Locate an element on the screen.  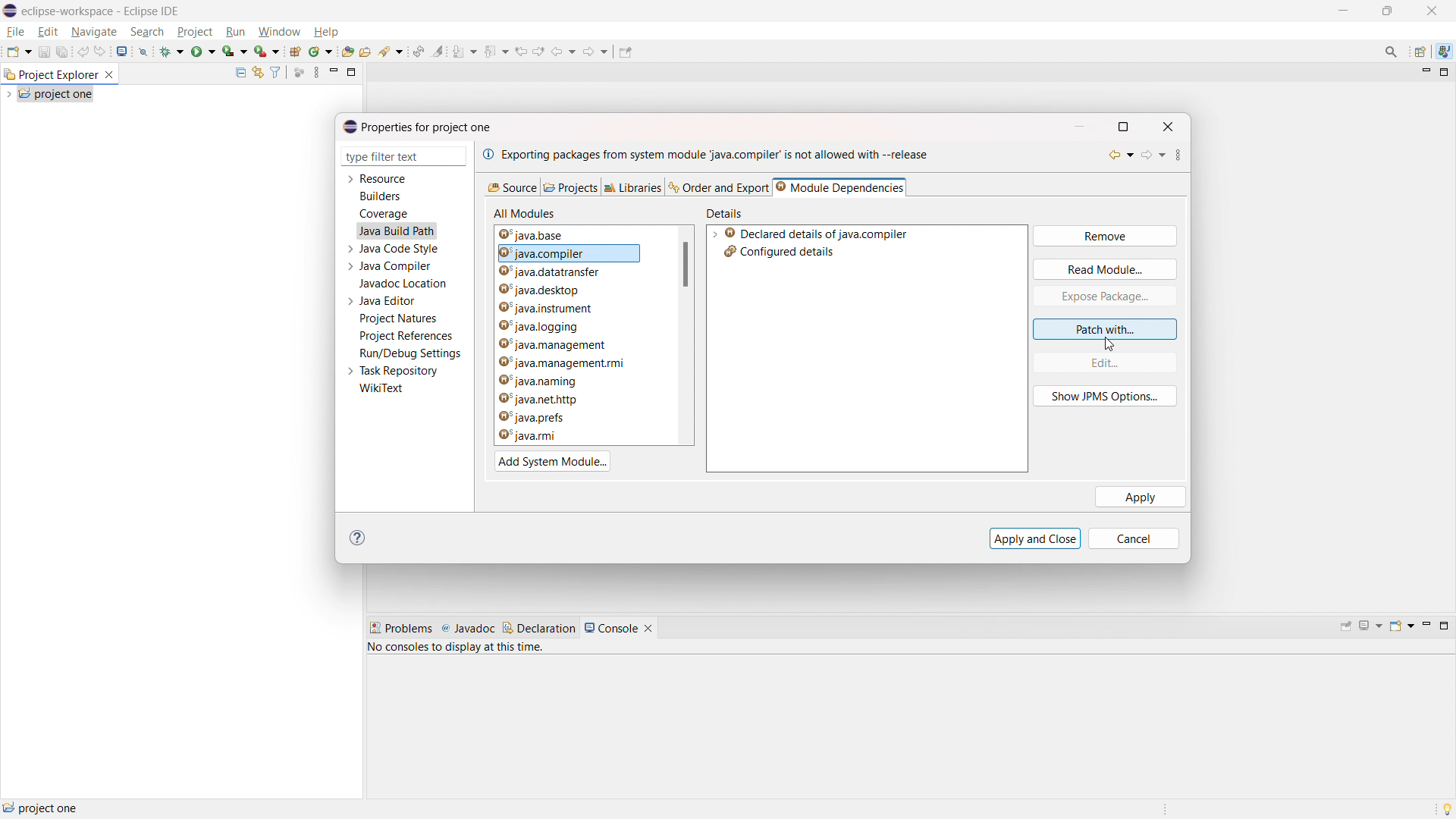
project references is located at coordinates (406, 335).